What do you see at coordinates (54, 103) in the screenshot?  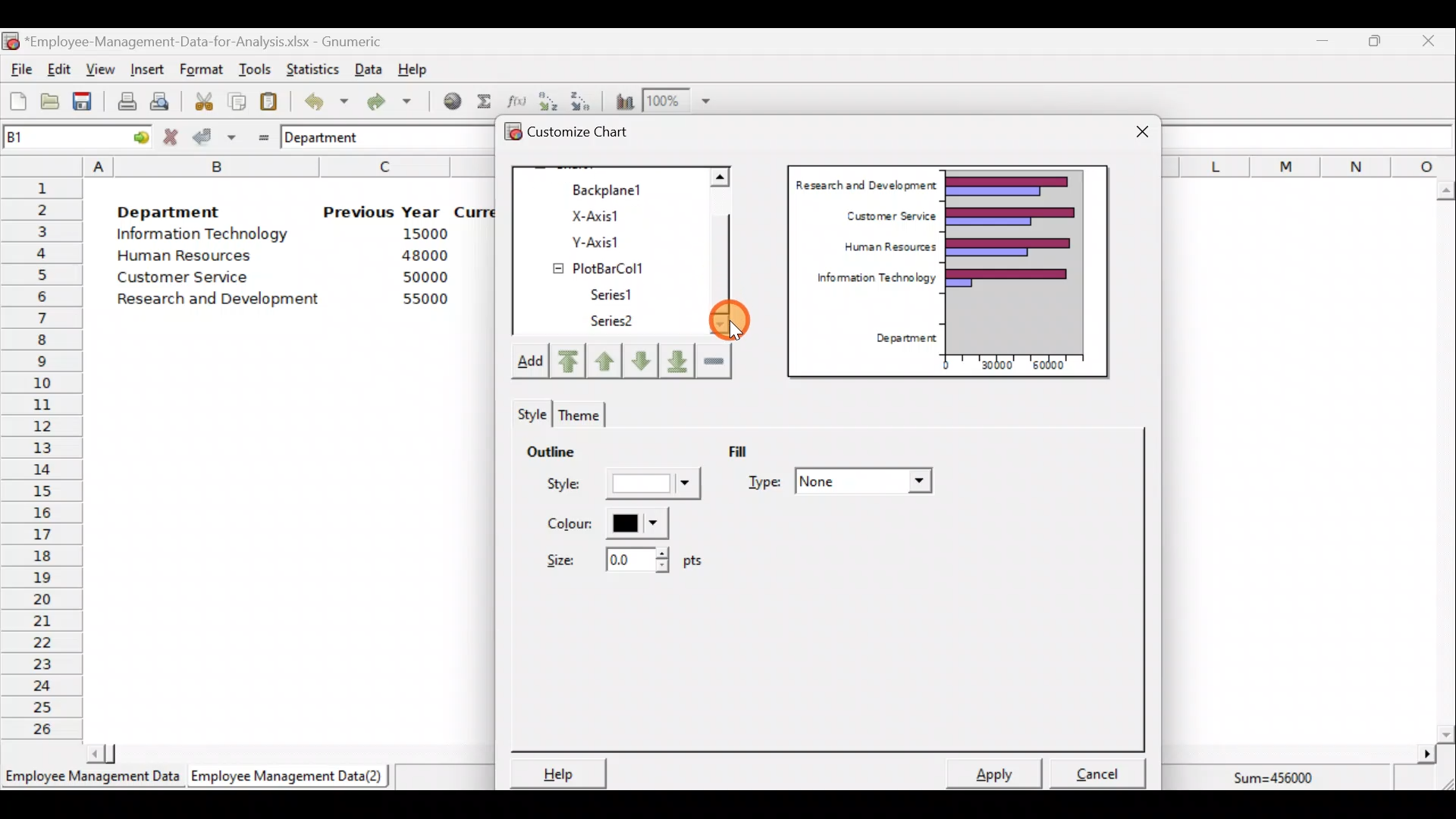 I see `Open a file` at bounding box center [54, 103].